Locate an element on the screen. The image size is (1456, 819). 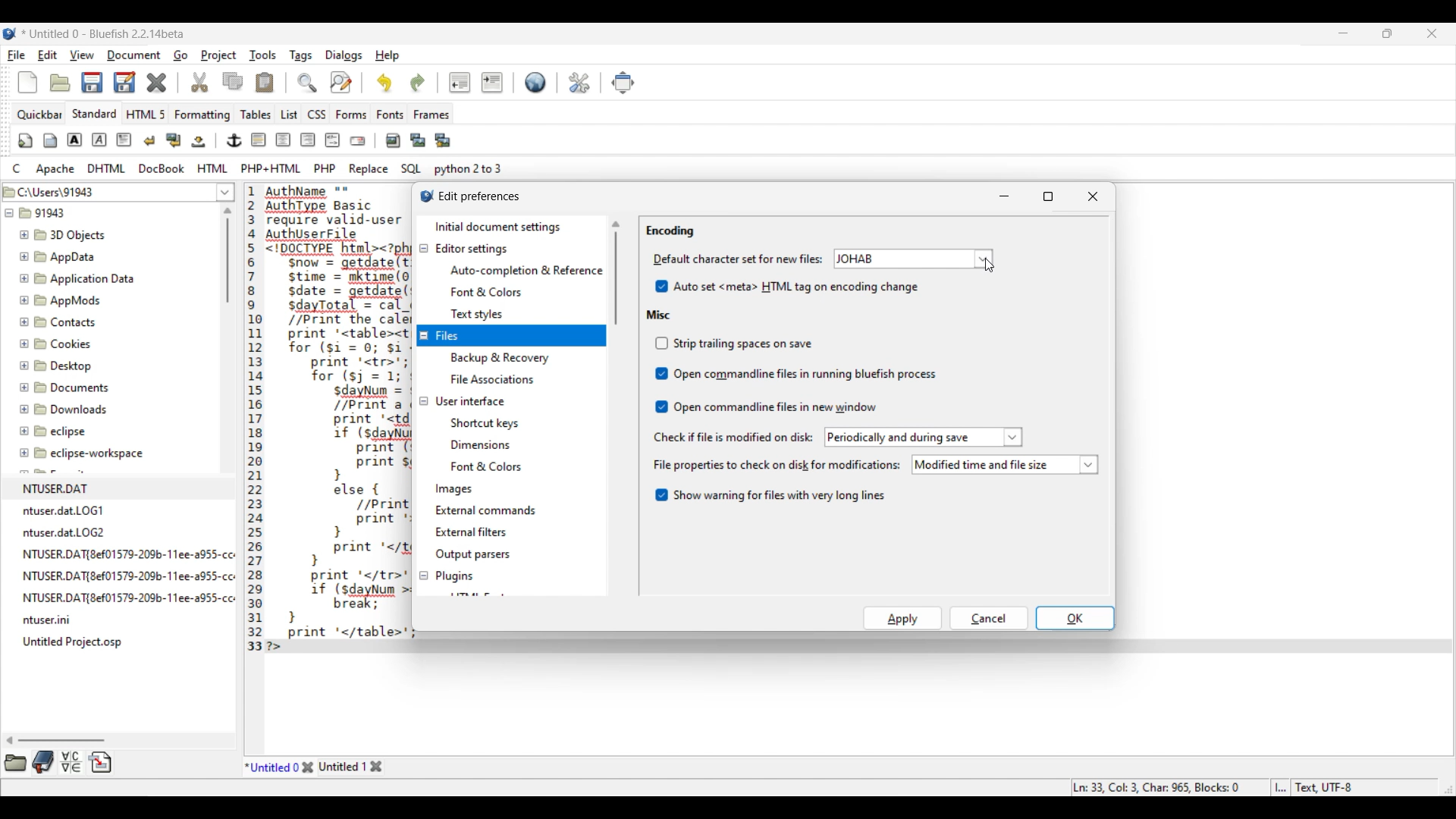
External commands is located at coordinates (487, 510).